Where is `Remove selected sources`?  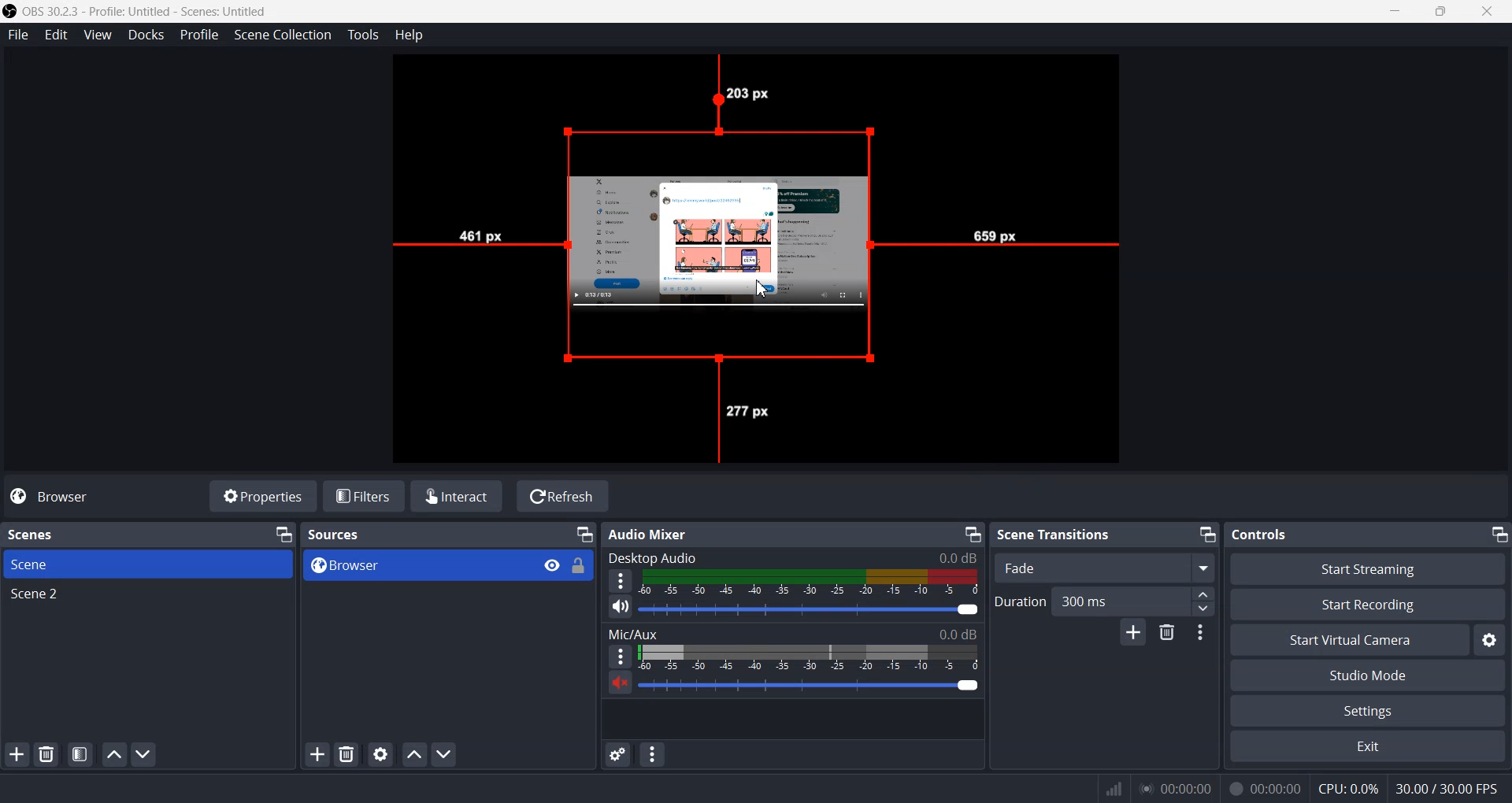 Remove selected sources is located at coordinates (346, 754).